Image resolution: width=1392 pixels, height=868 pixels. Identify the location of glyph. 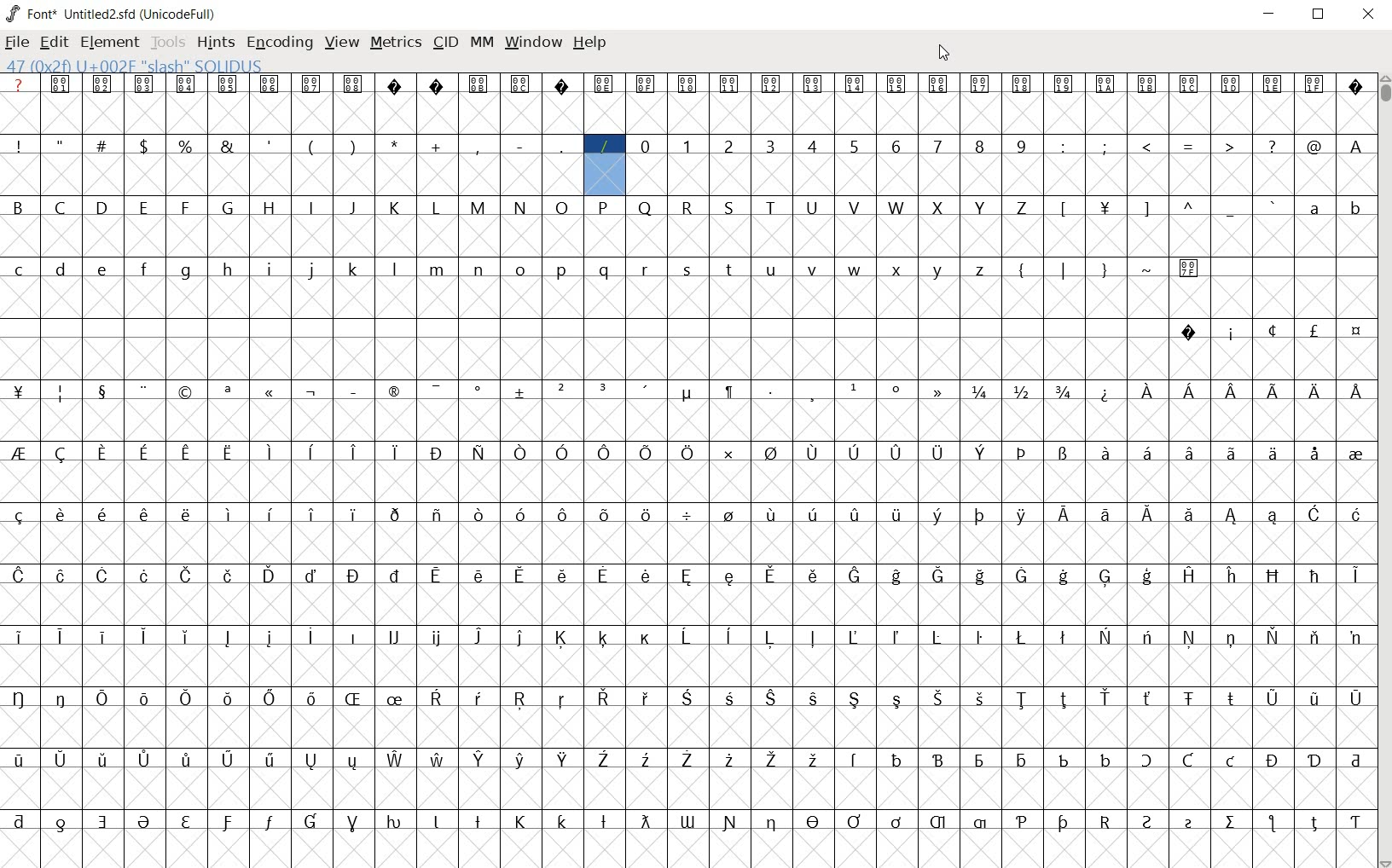
(1190, 575).